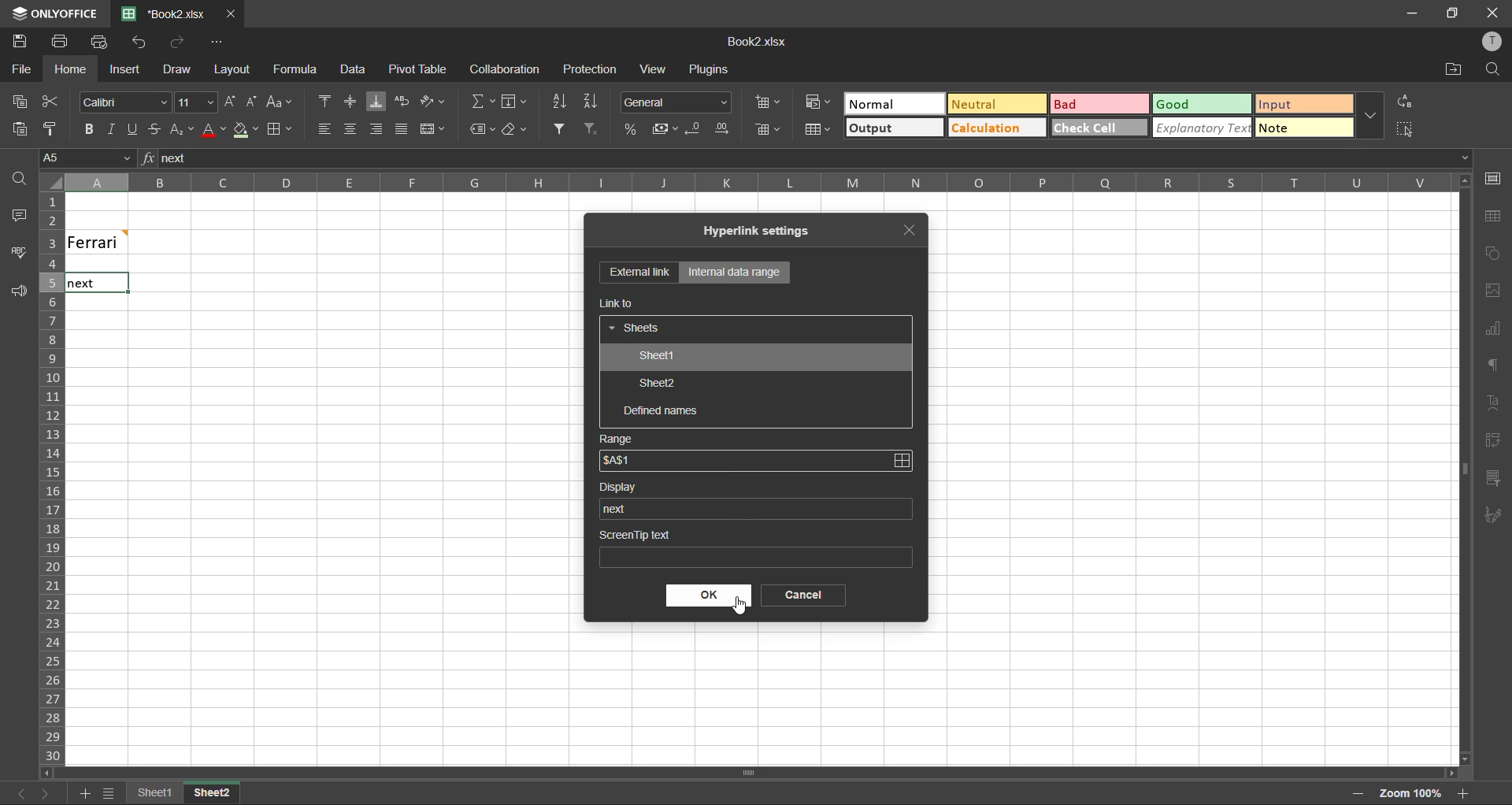  I want to click on find, so click(24, 182).